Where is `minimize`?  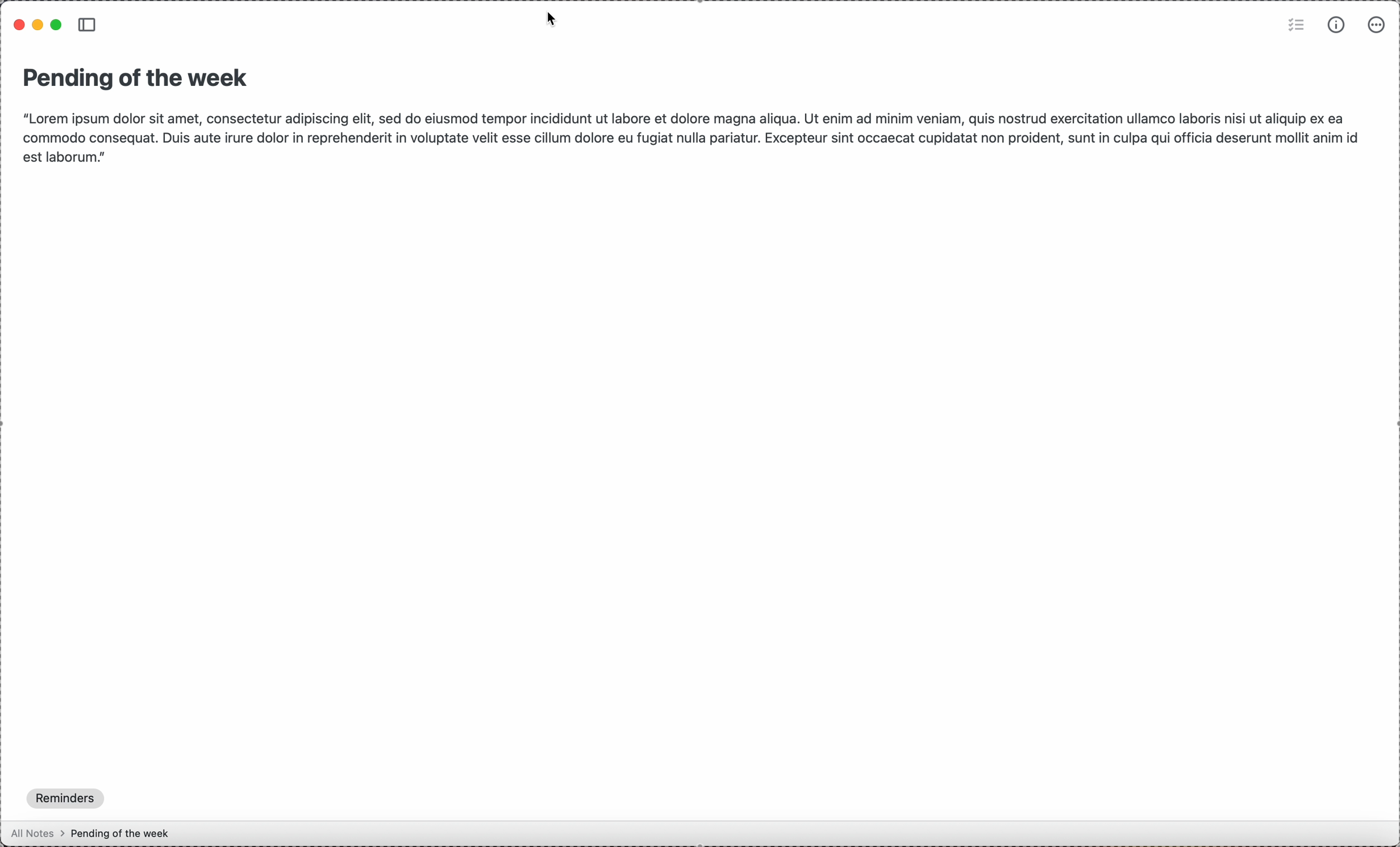
minimize is located at coordinates (41, 24).